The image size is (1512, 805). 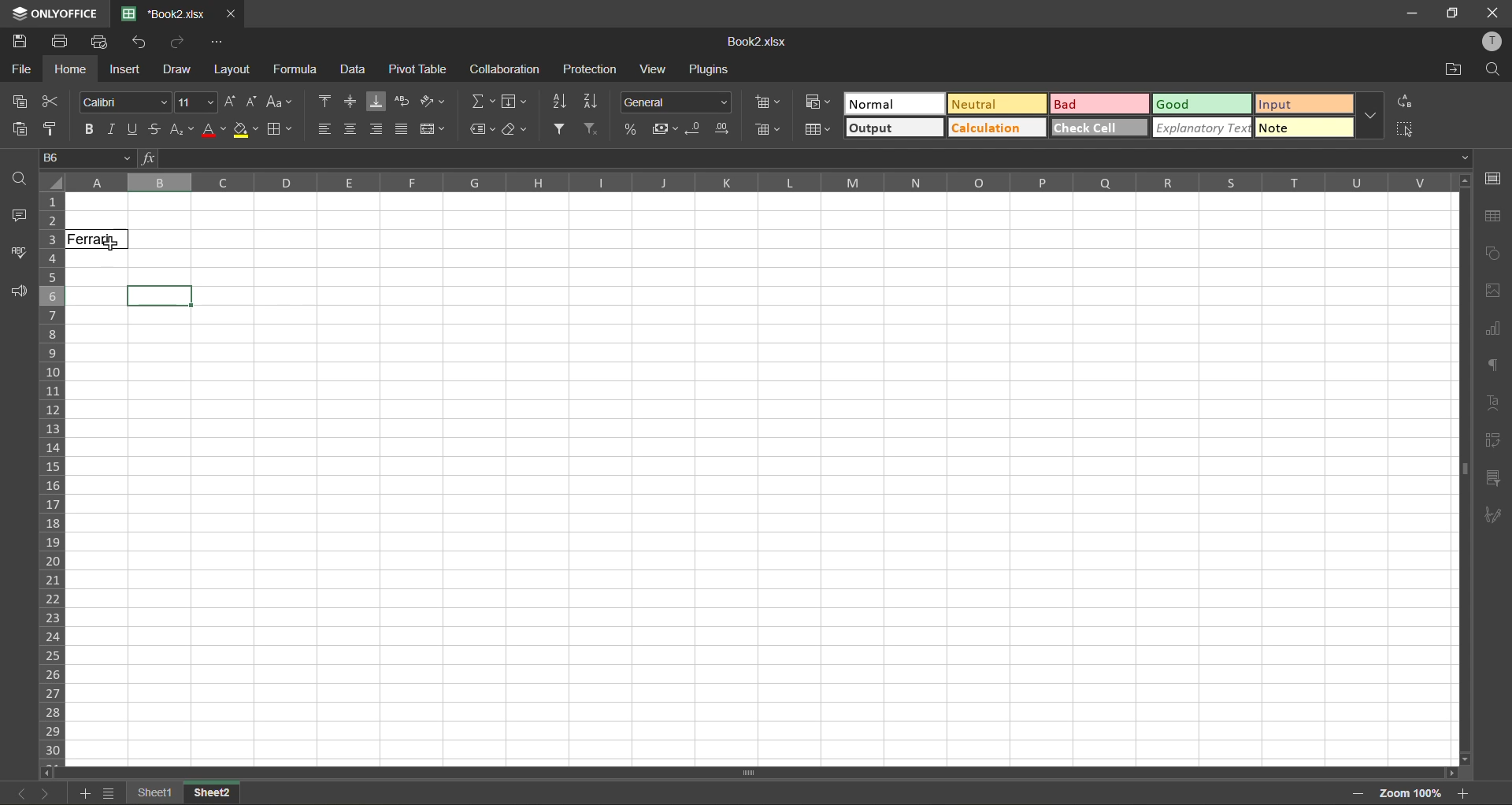 What do you see at coordinates (432, 101) in the screenshot?
I see `orientation` at bounding box center [432, 101].